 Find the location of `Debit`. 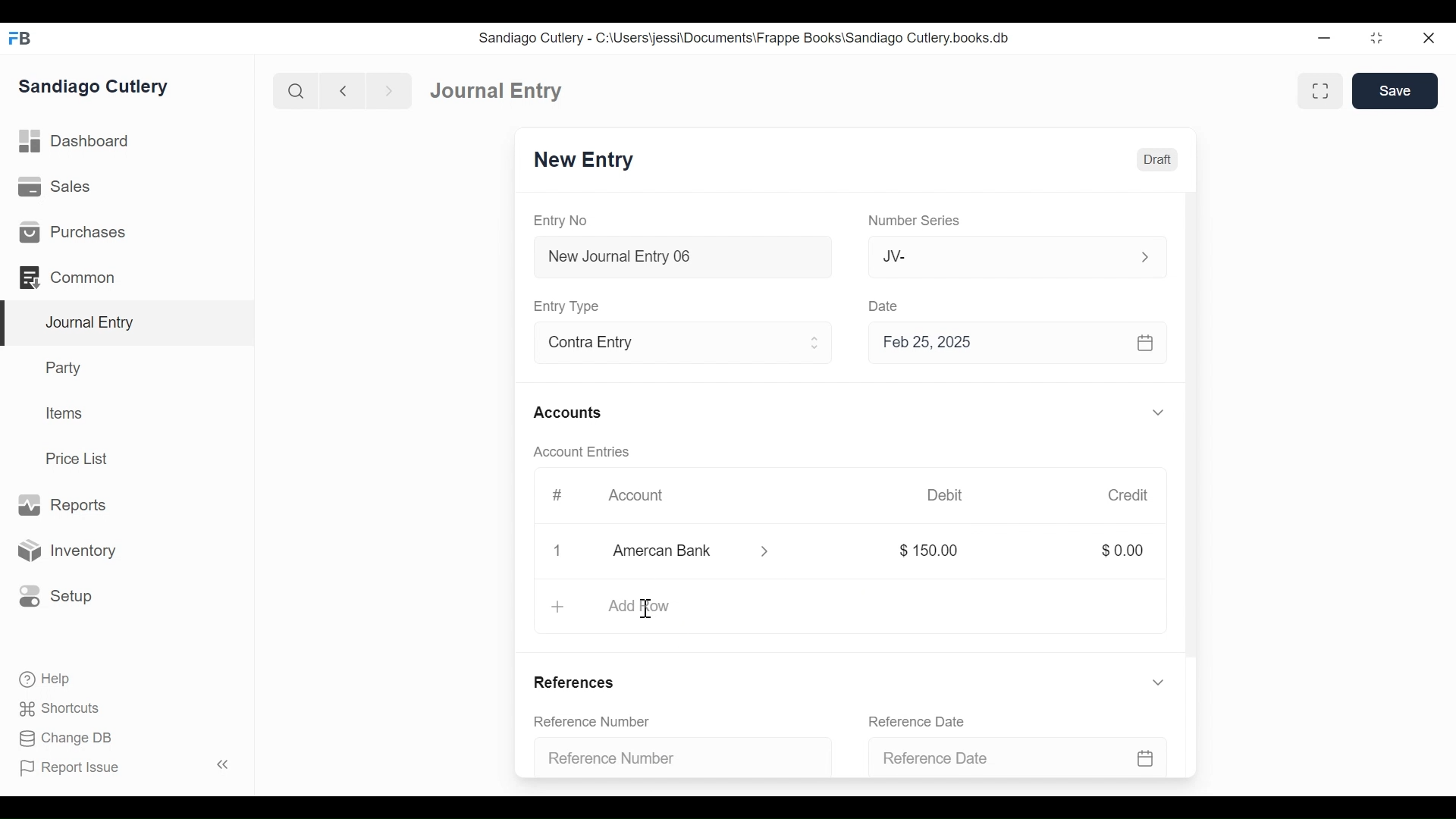

Debit is located at coordinates (945, 495).